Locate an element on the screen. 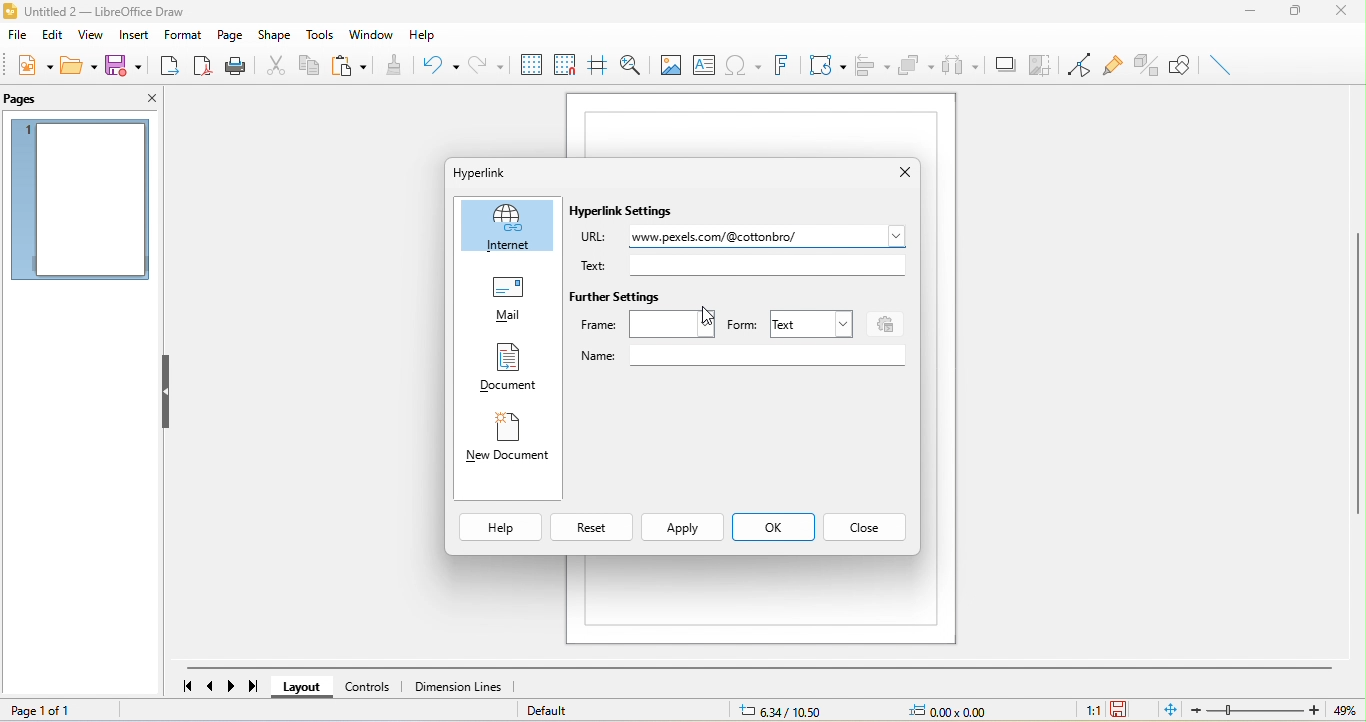  pages is located at coordinates (45, 100).